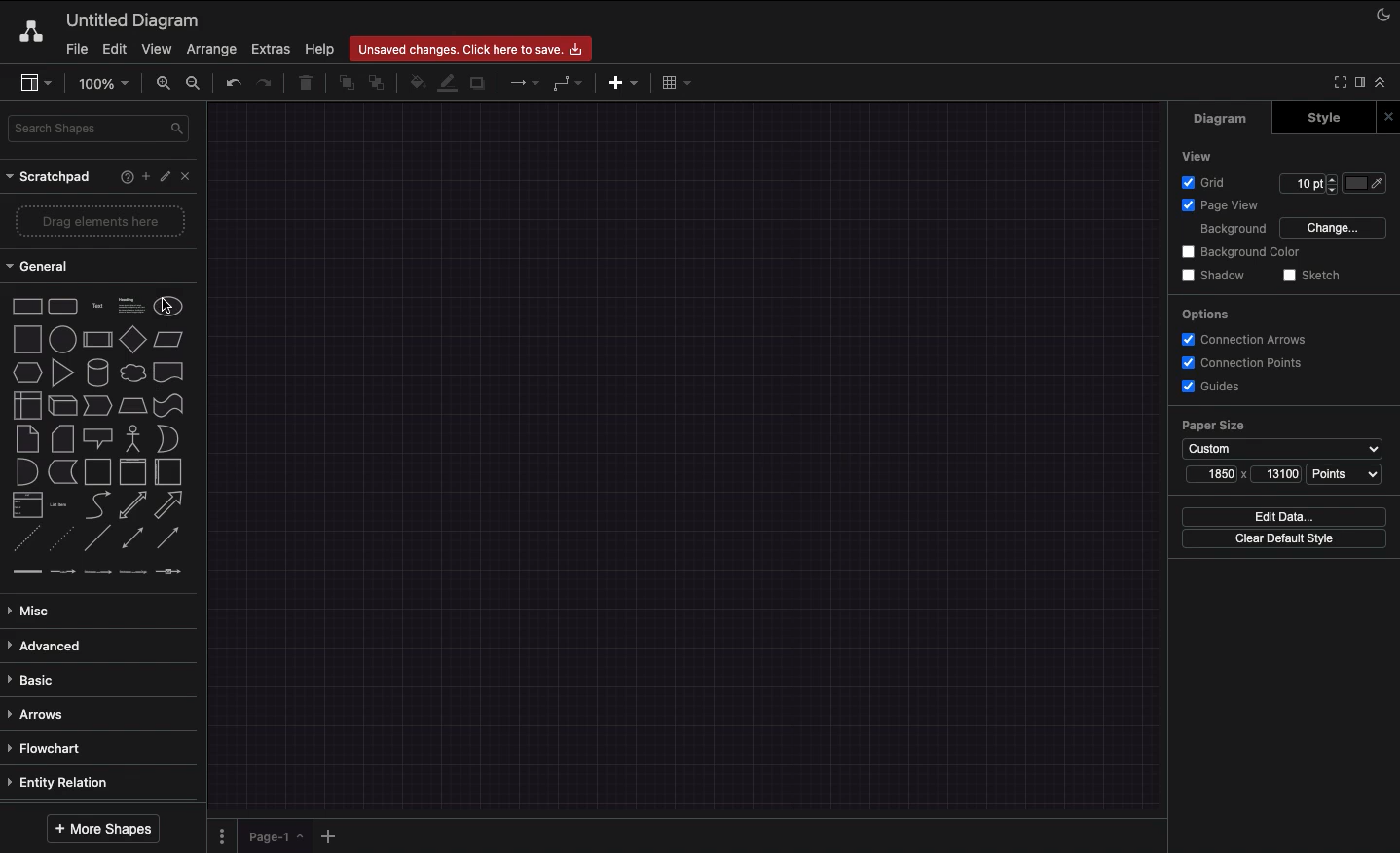 This screenshot has height=853, width=1400. Describe the element at coordinates (97, 406) in the screenshot. I see `Step` at that location.